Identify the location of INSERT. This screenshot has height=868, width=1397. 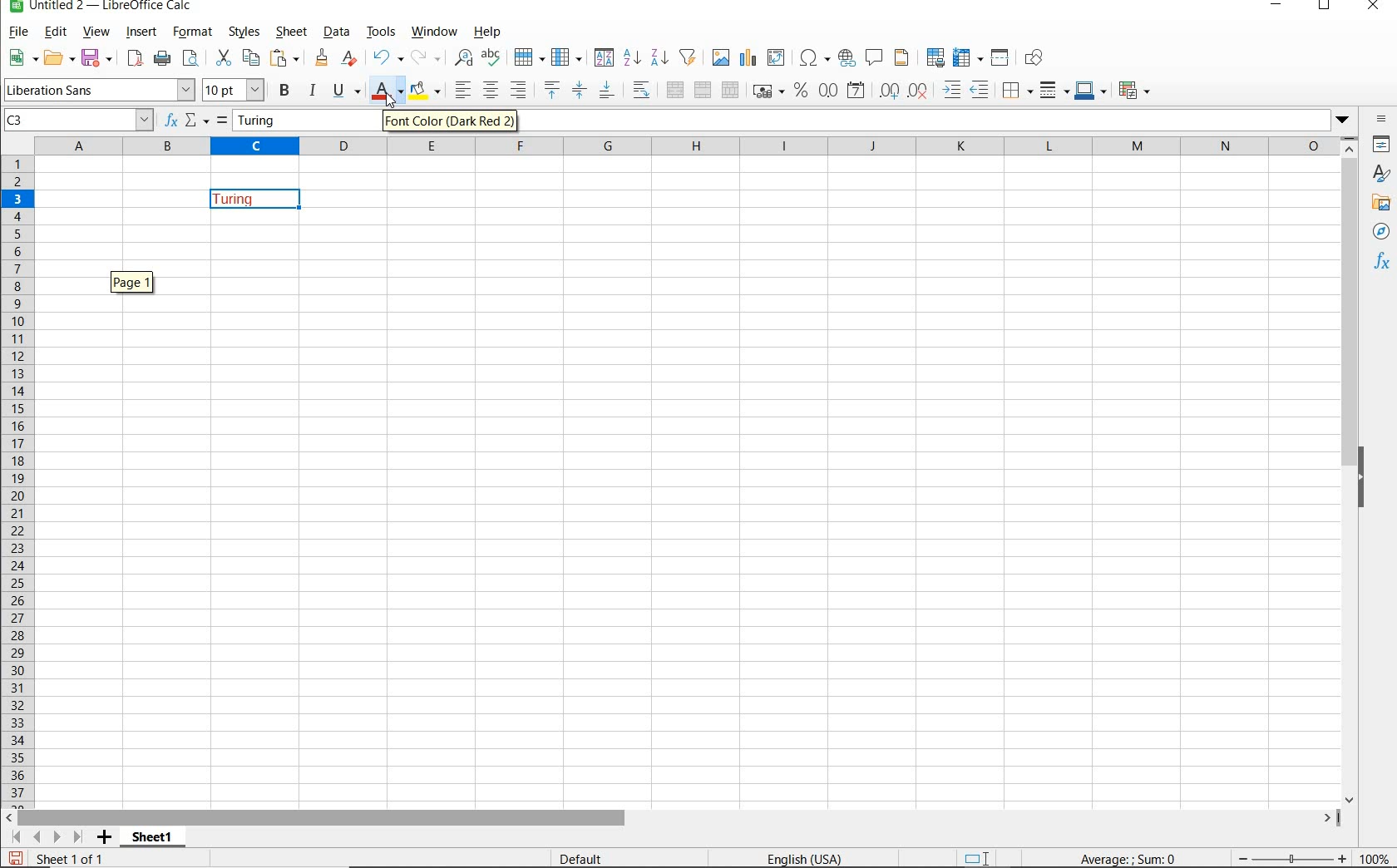
(143, 32).